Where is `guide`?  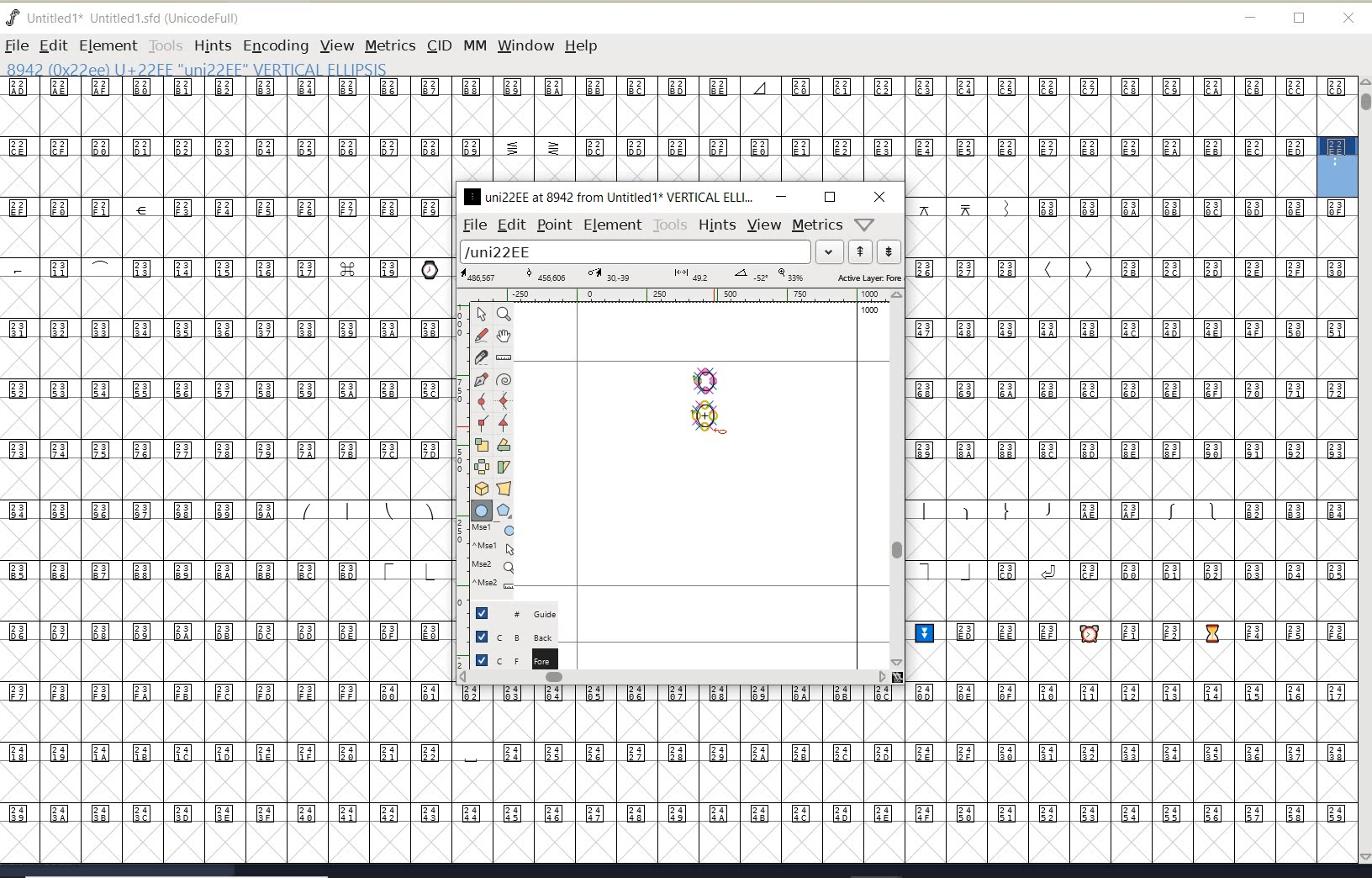
guide is located at coordinates (522, 611).